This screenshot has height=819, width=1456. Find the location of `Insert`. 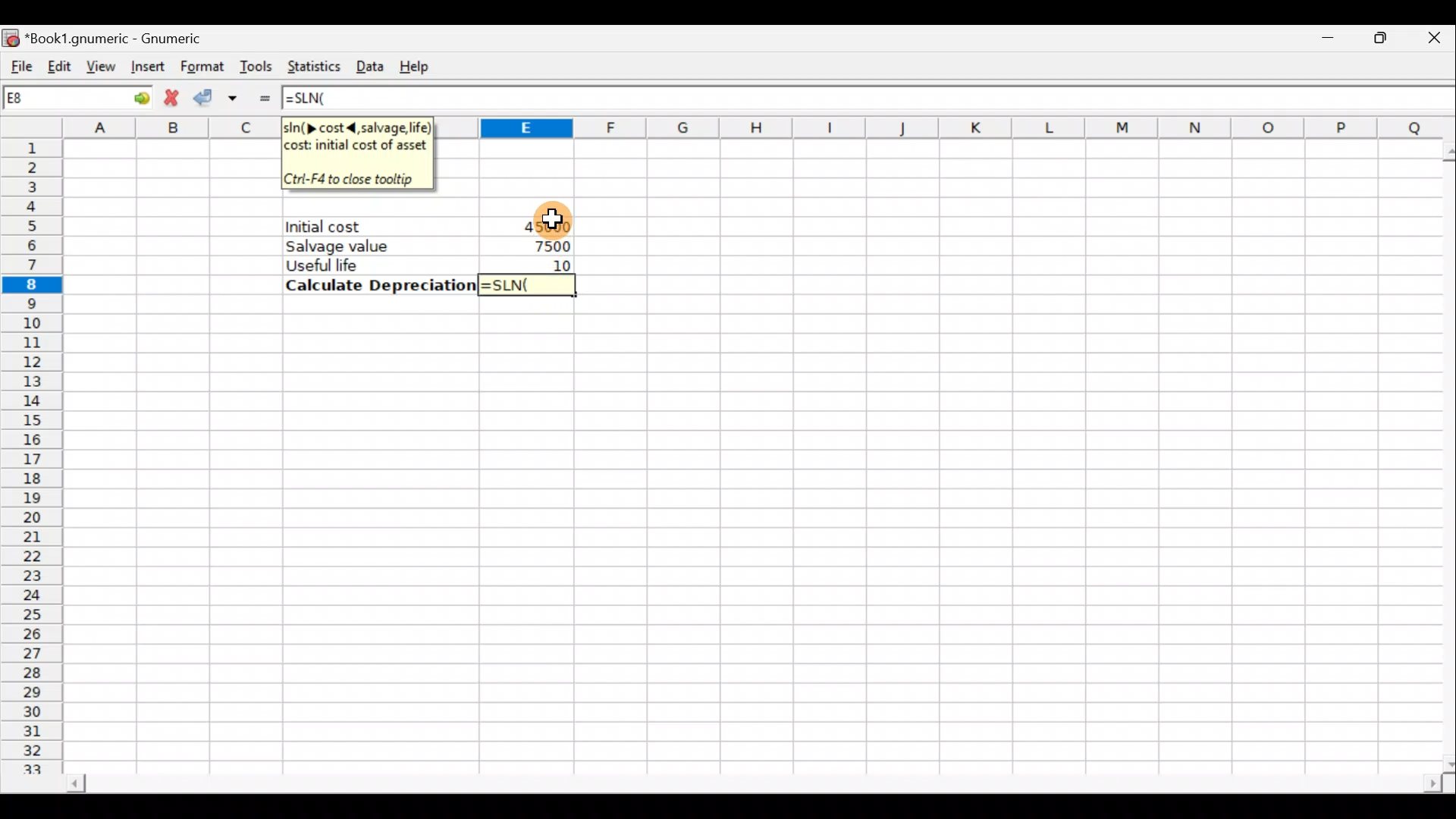

Insert is located at coordinates (146, 67).